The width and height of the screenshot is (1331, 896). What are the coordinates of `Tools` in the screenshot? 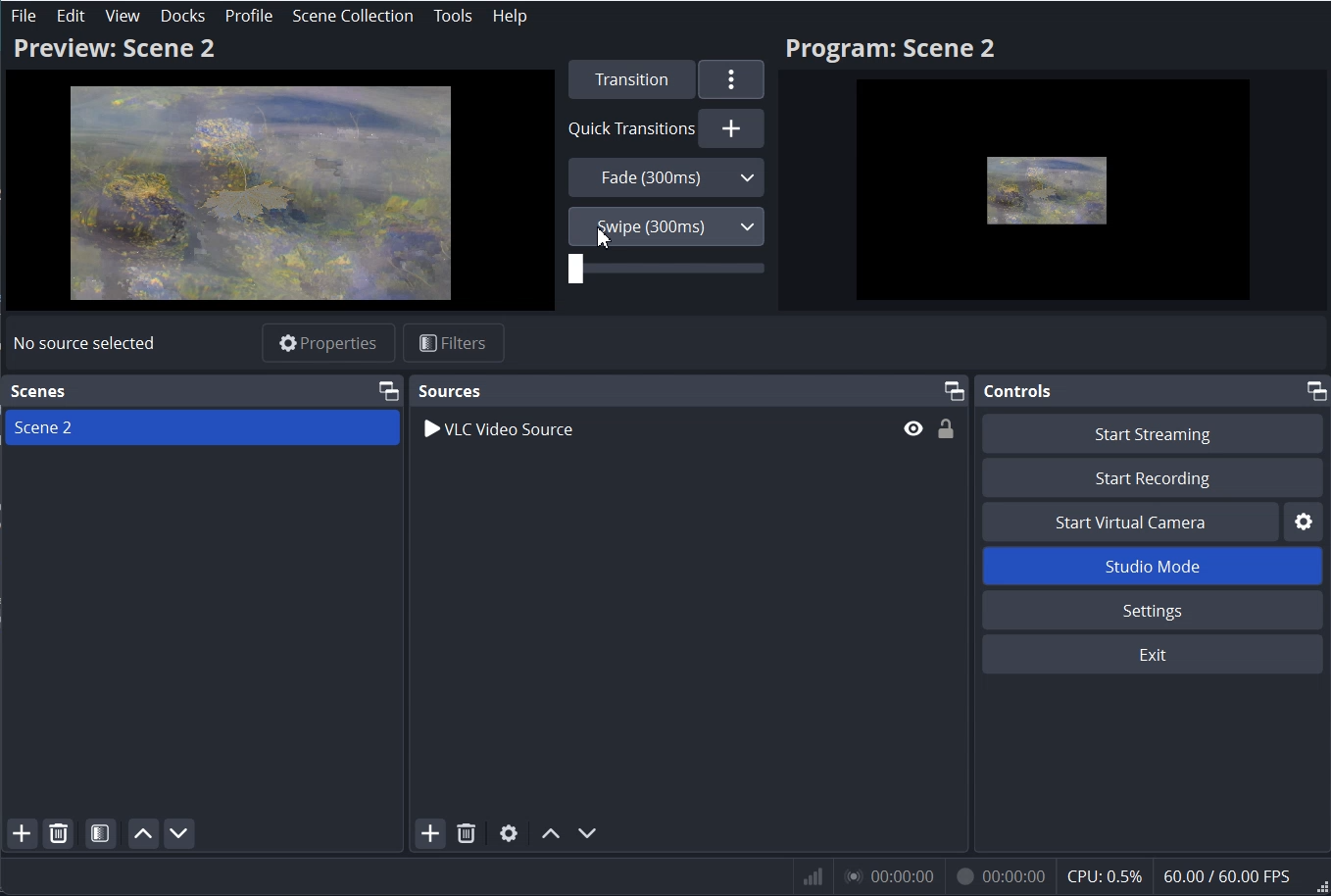 It's located at (453, 16).